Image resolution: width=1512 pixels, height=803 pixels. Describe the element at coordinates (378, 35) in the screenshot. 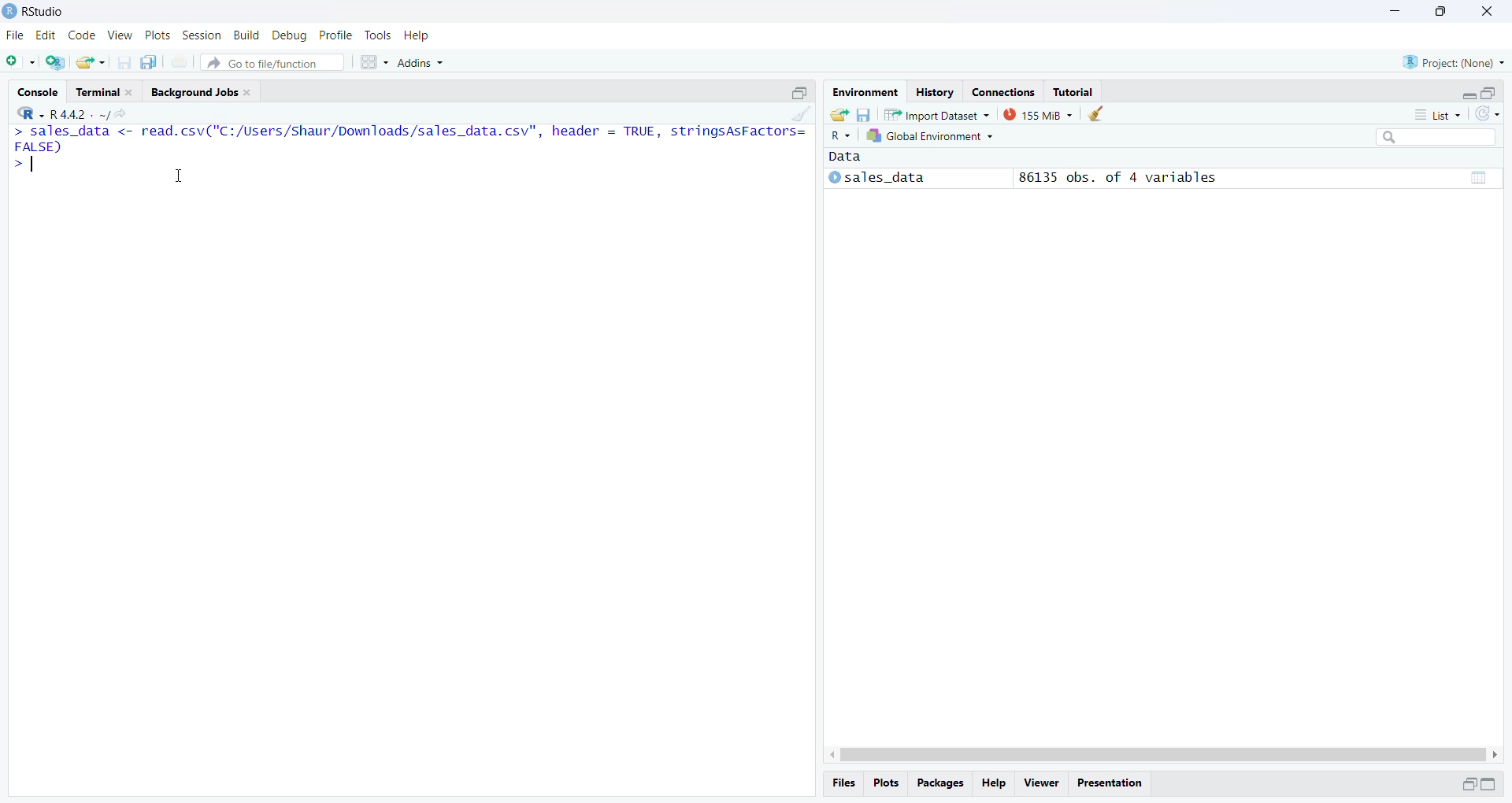

I see `Tools` at that location.